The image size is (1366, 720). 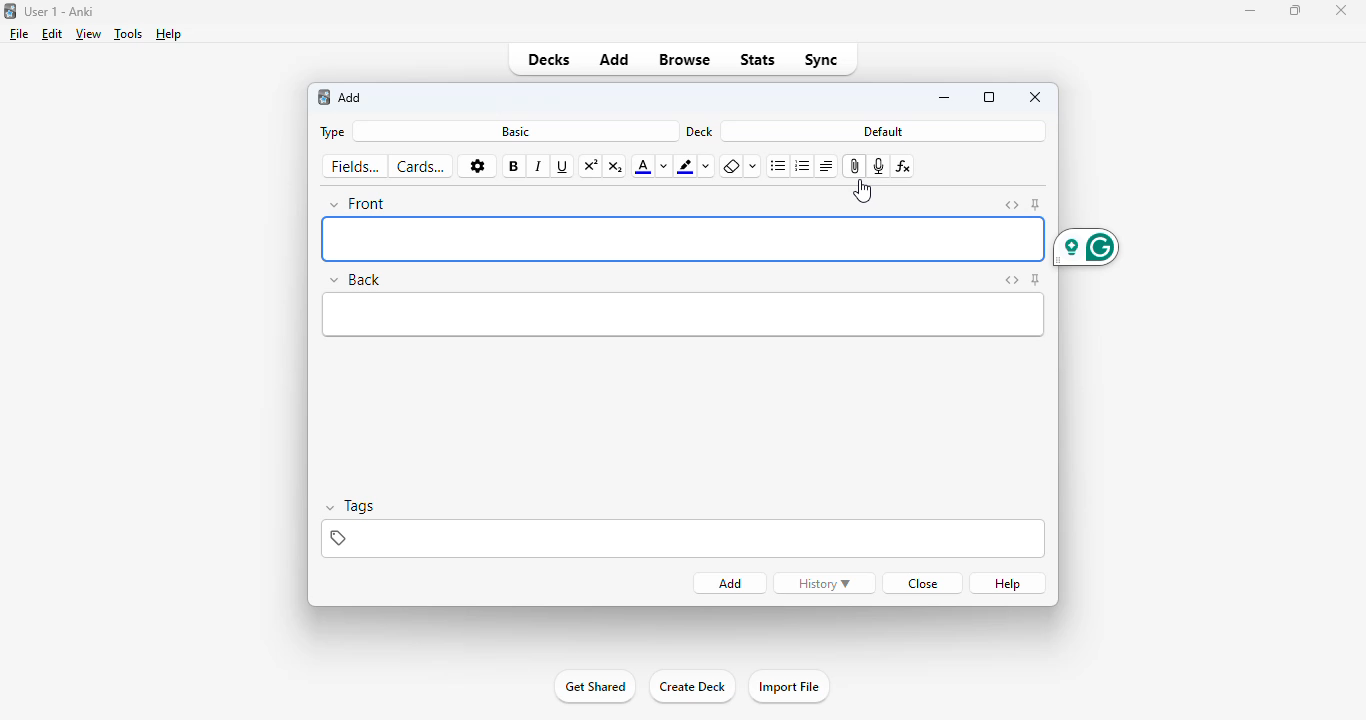 What do you see at coordinates (1011, 205) in the screenshot?
I see `toggle HTML editor` at bounding box center [1011, 205].